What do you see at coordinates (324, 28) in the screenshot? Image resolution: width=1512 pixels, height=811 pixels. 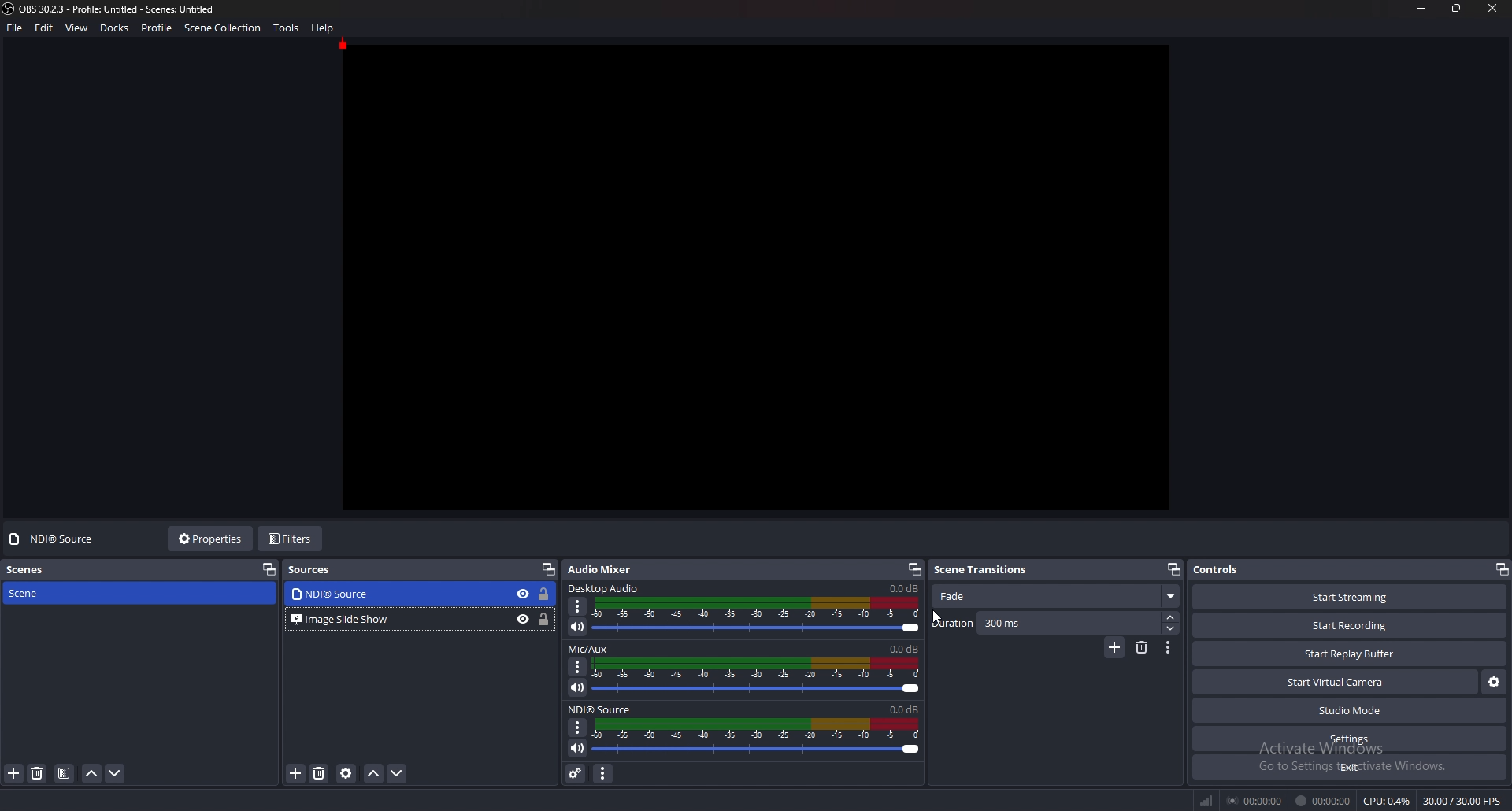 I see `help` at bounding box center [324, 28].